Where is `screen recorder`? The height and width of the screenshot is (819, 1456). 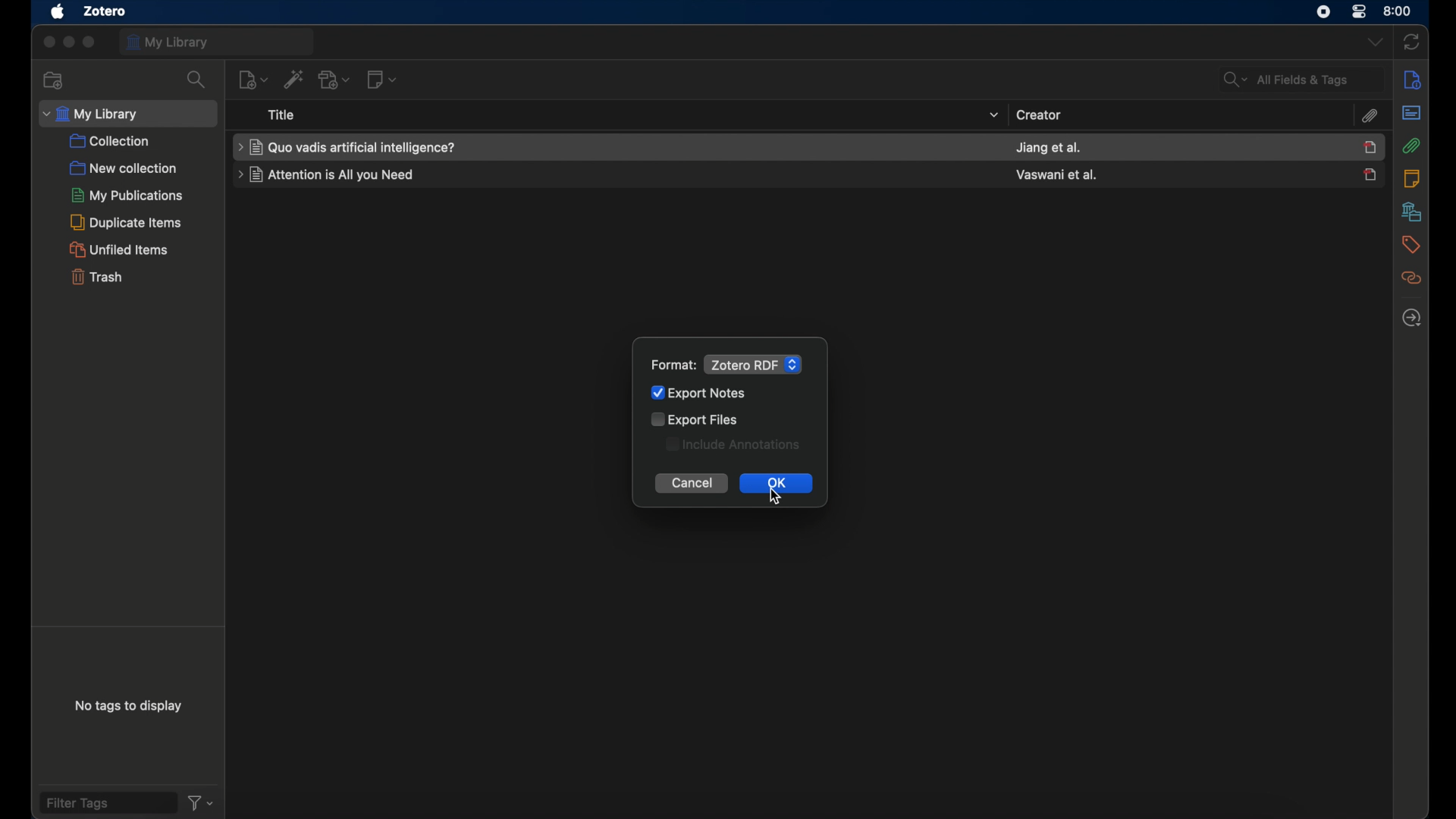
screen recorder is located at coordinates (1324, 11).